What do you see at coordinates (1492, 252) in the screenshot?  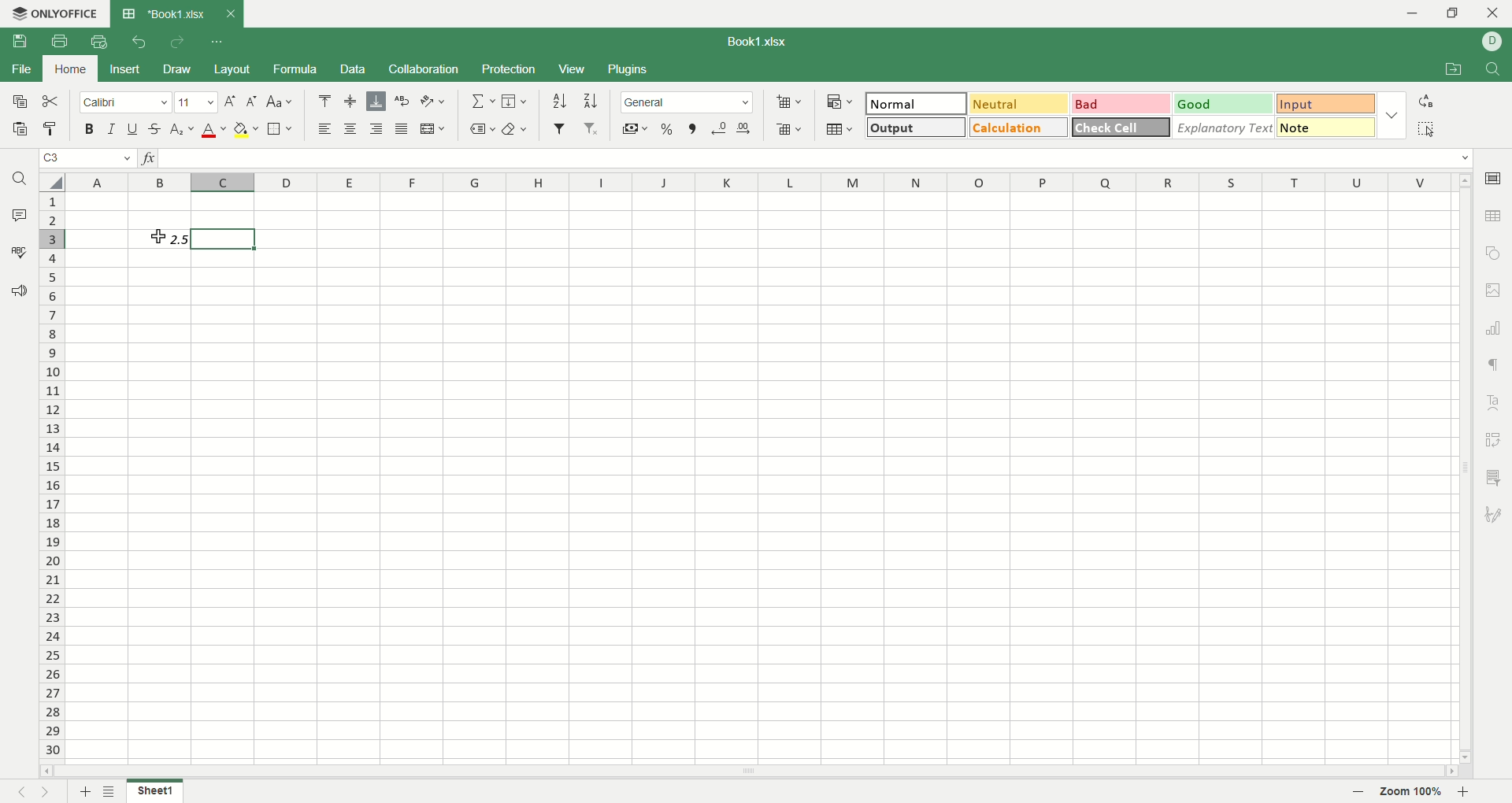 I see `object settings` at bounding box center [1492, 252].